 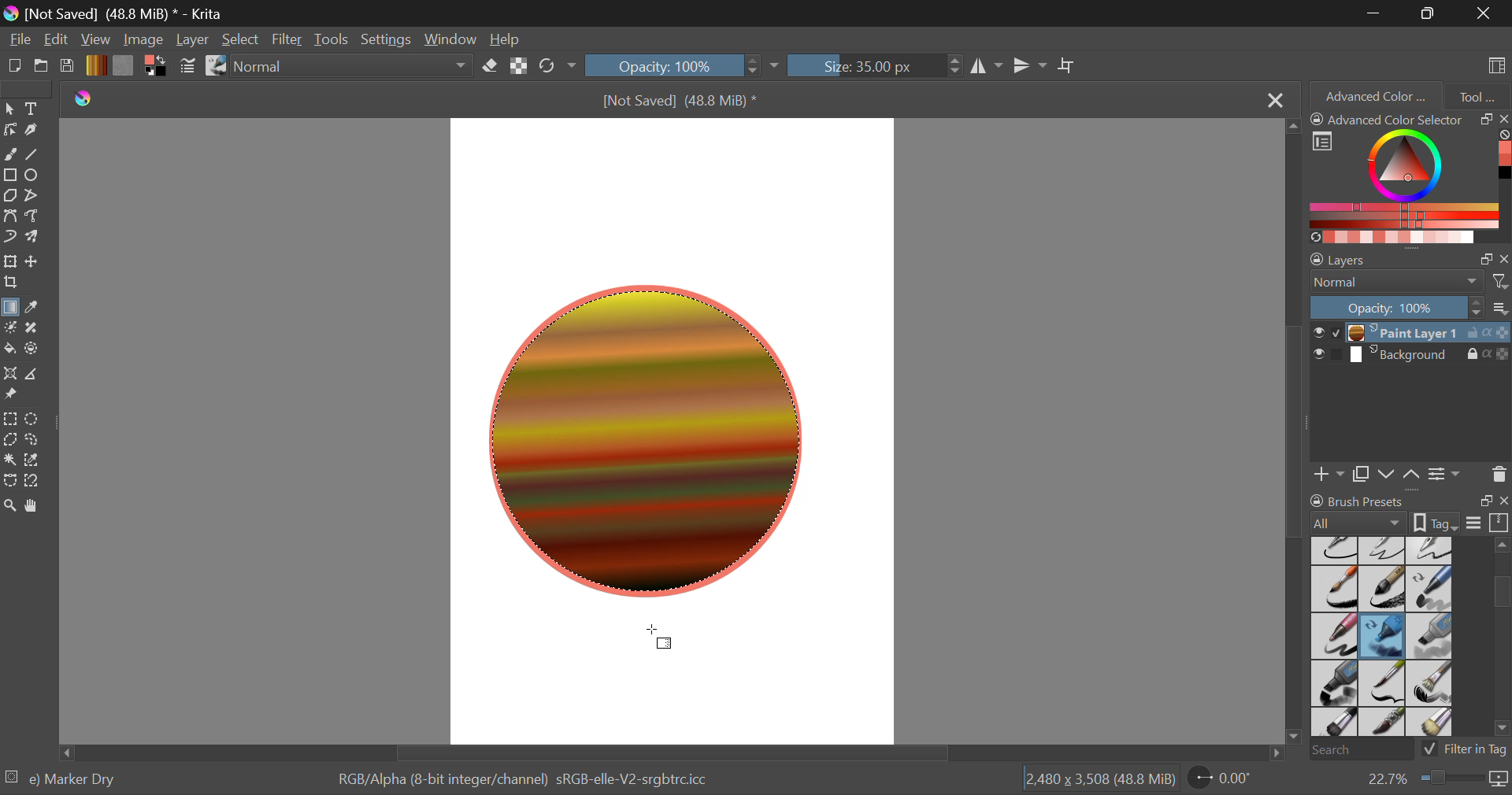 I want to click on Minimize, so click(x=1431, y=13).